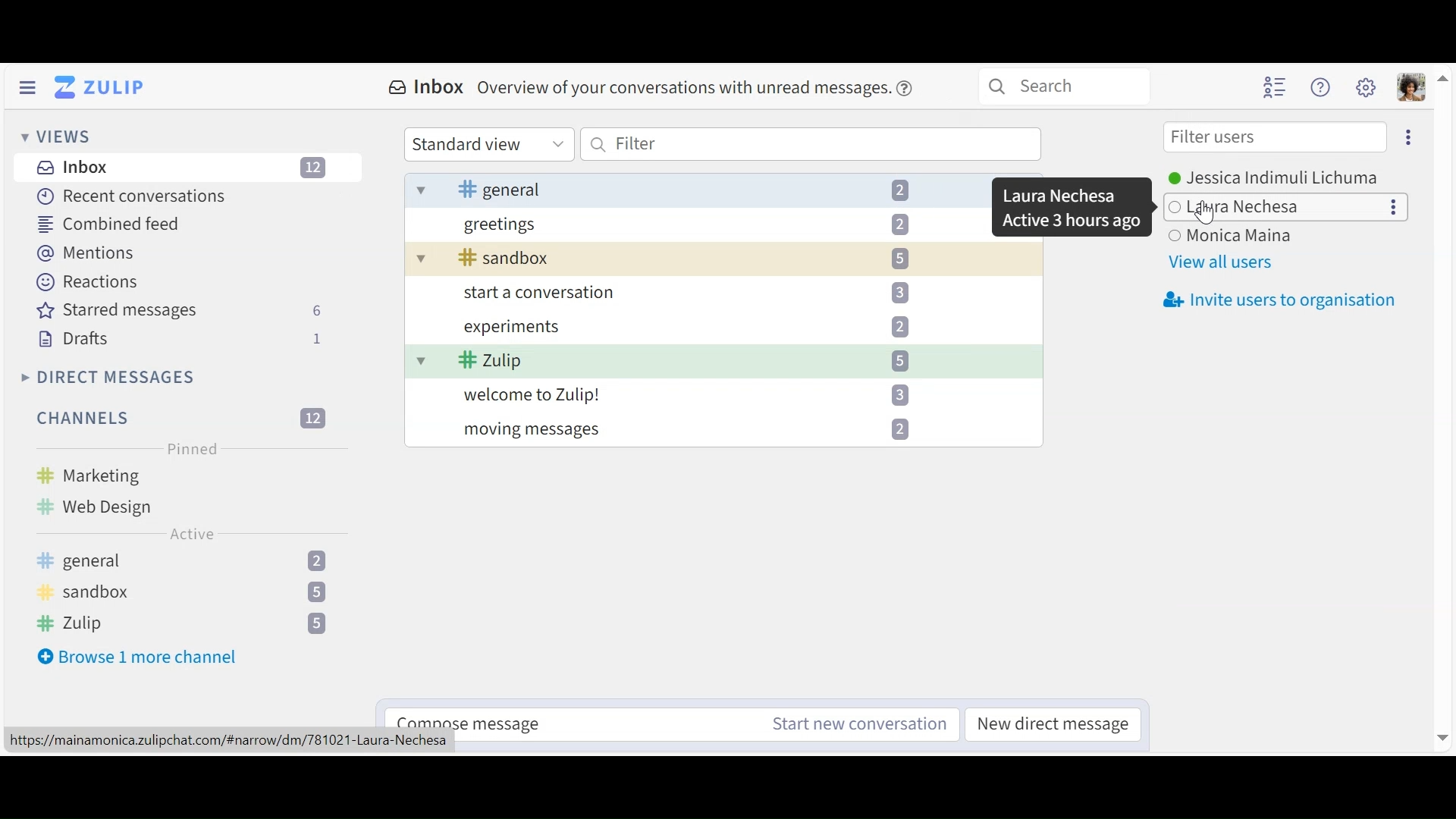 This screenshot has width=1456, height=819. What do you see at coordinates (108, 506) in the screenshot?
I see `web design` at bounding box center [108, 506].